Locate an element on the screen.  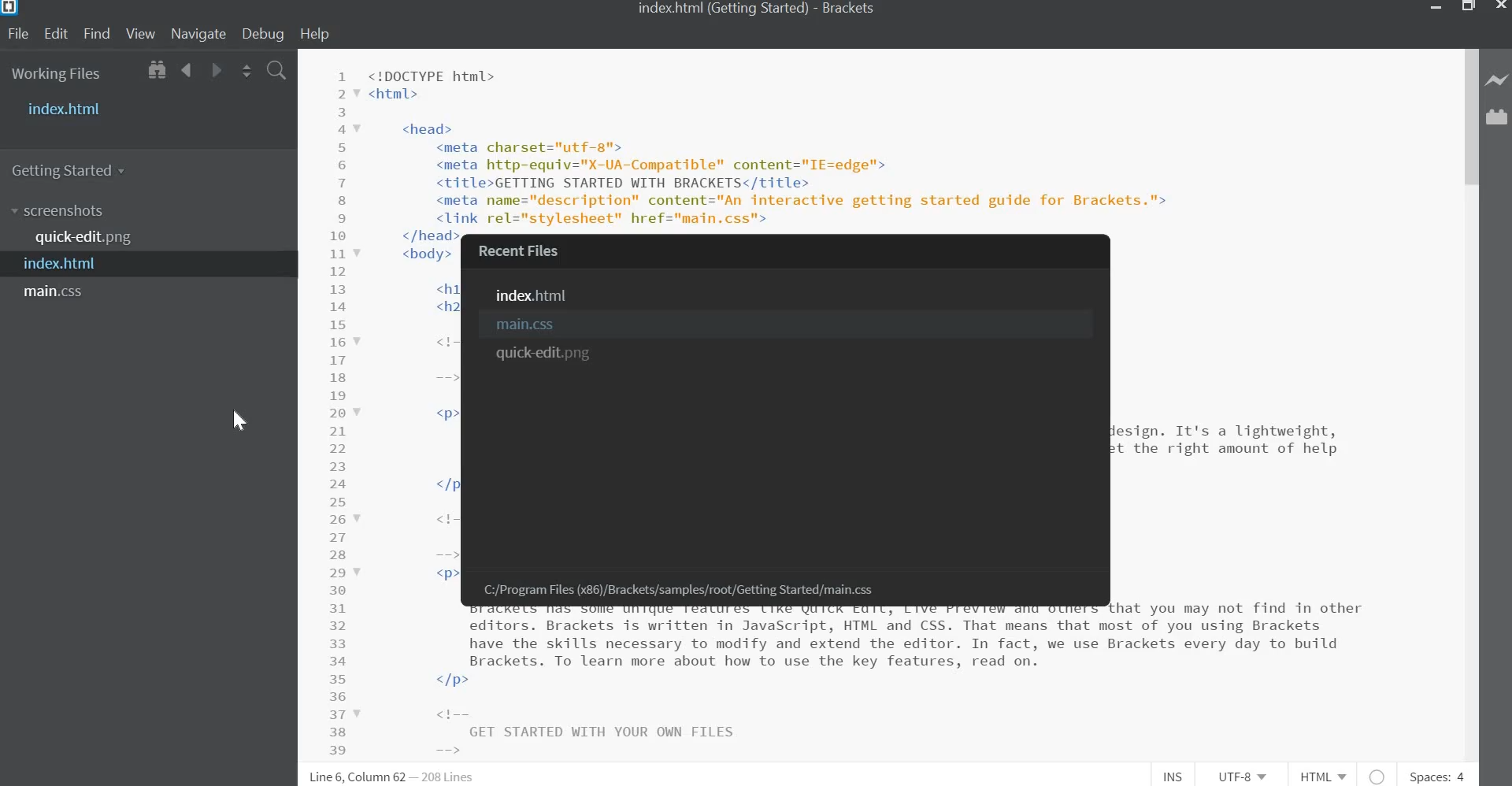
Navigate Forward is located at coordinates (214, 71).